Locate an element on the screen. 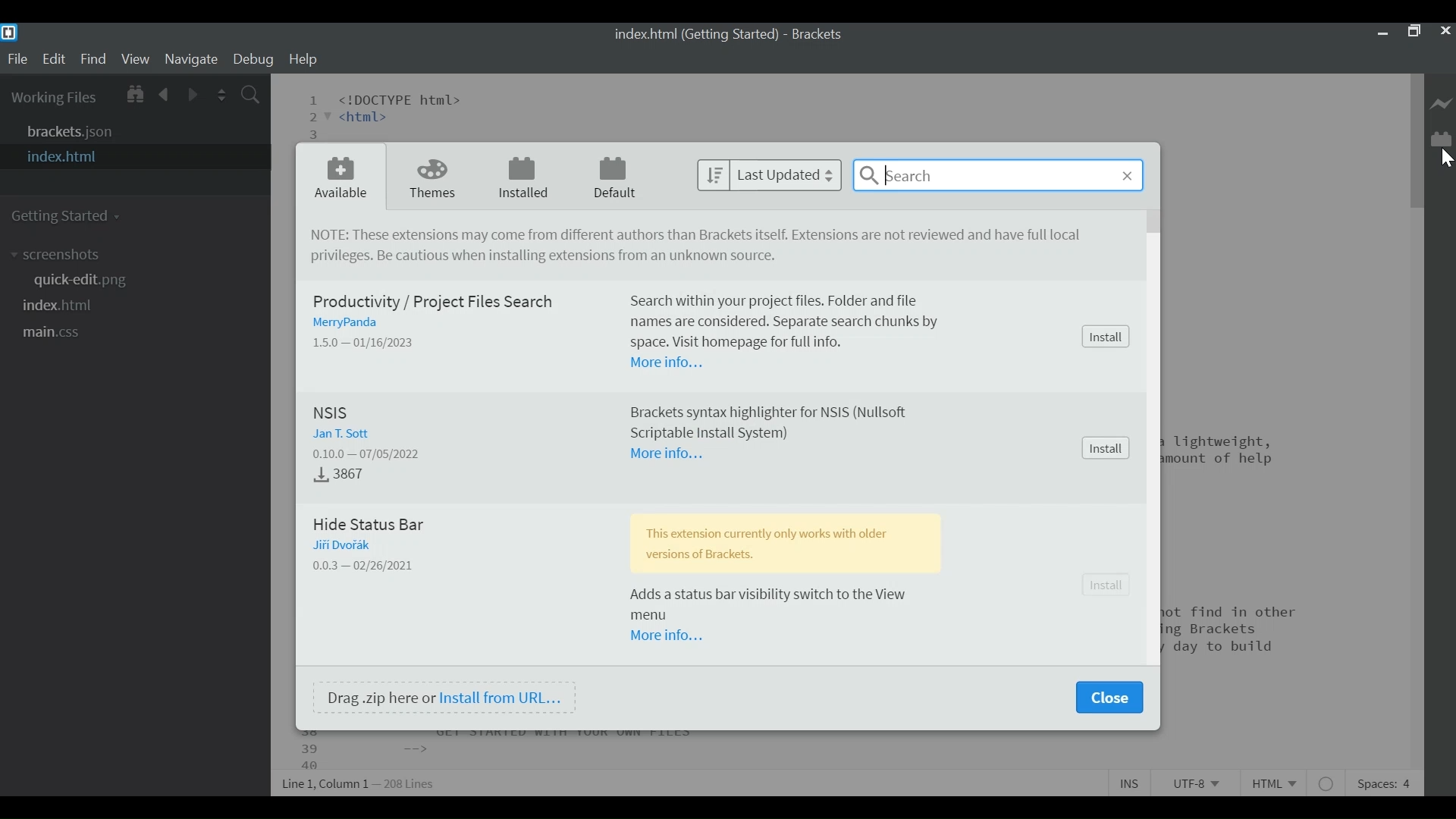 This screenshot has width=1456, height=819. Install is located at coordinates (1105, 582).